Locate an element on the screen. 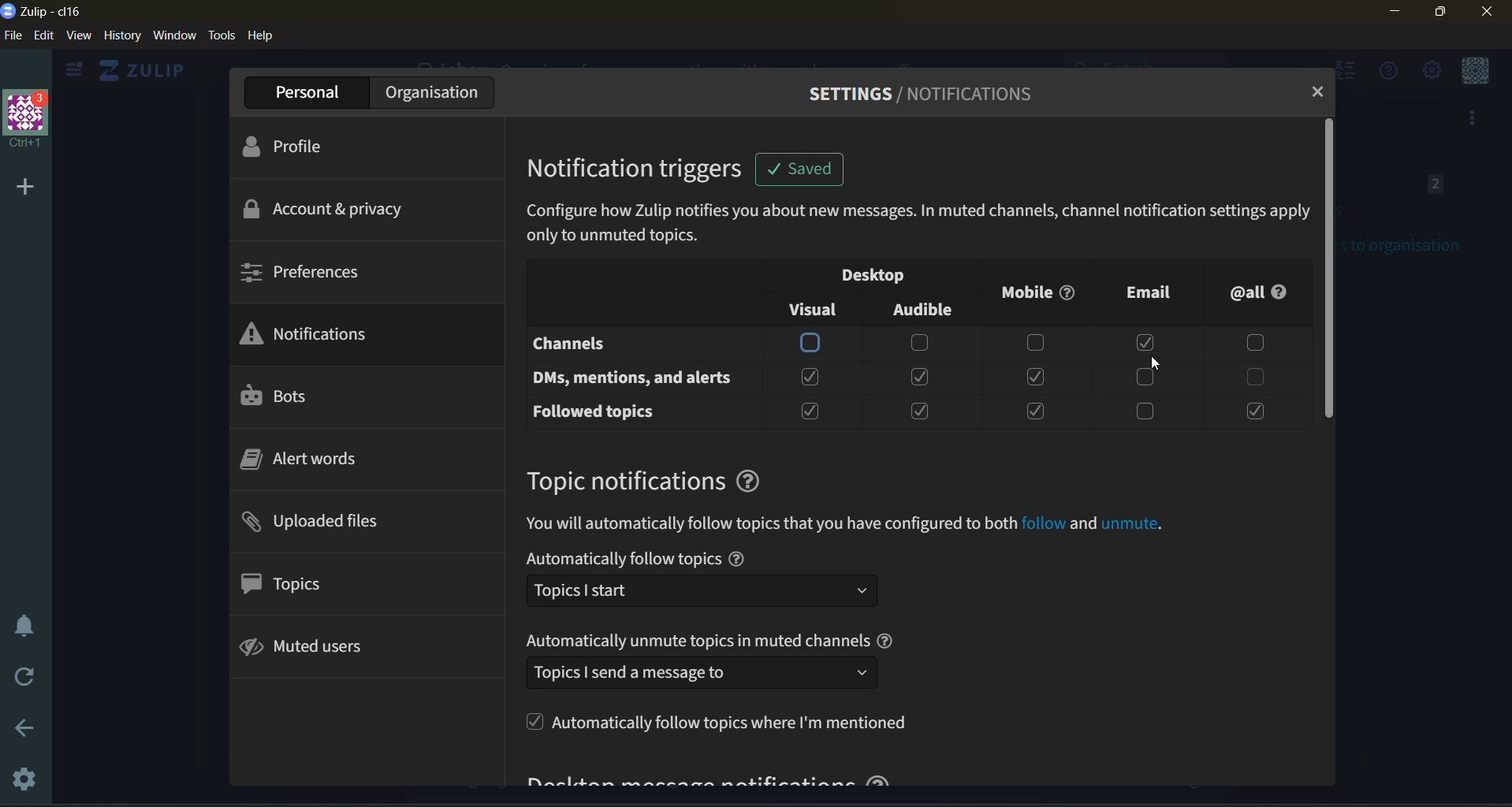 The width and height of the screenshot is (1512, 807). maximize is located at coordinates (1437, 13).